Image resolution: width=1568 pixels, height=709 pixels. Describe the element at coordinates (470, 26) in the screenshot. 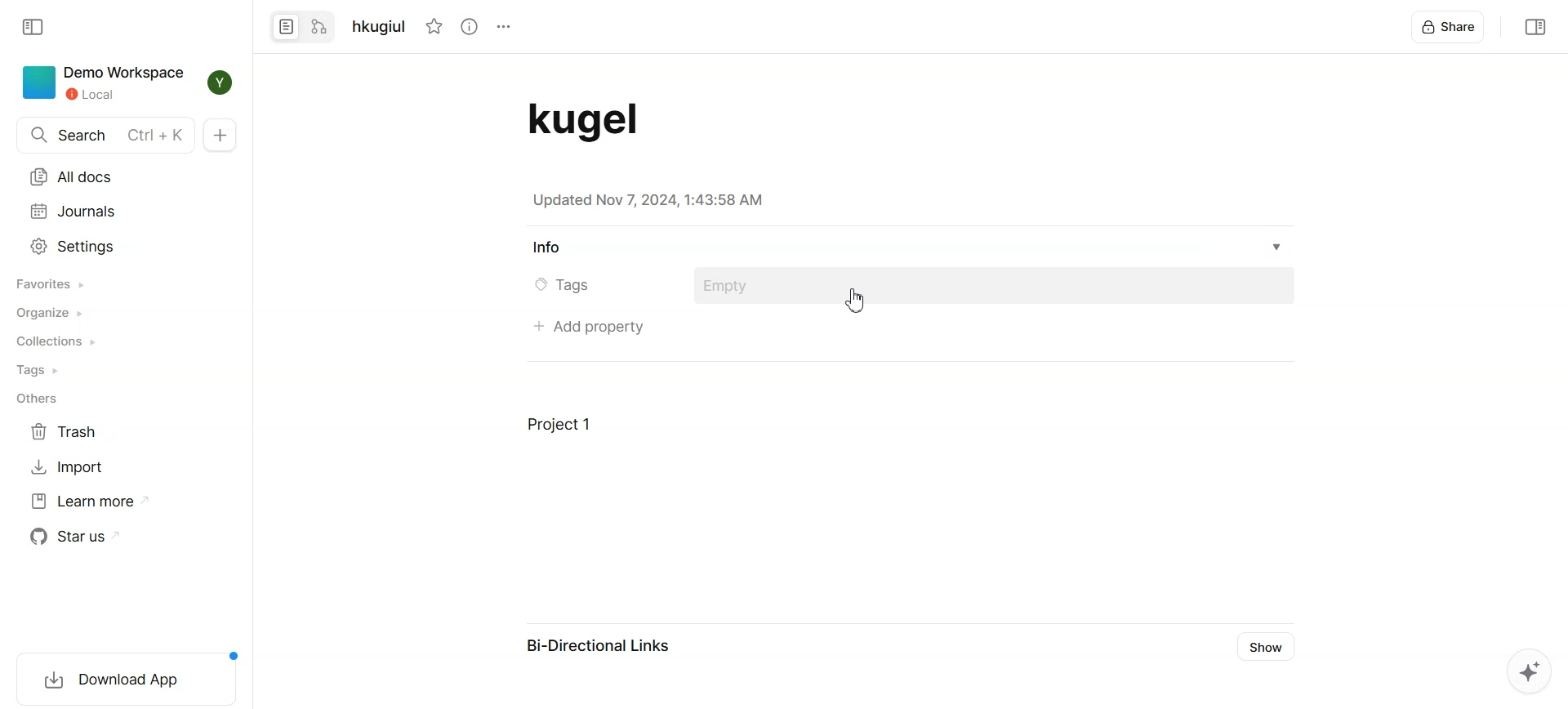

I see `View Info` at that location.